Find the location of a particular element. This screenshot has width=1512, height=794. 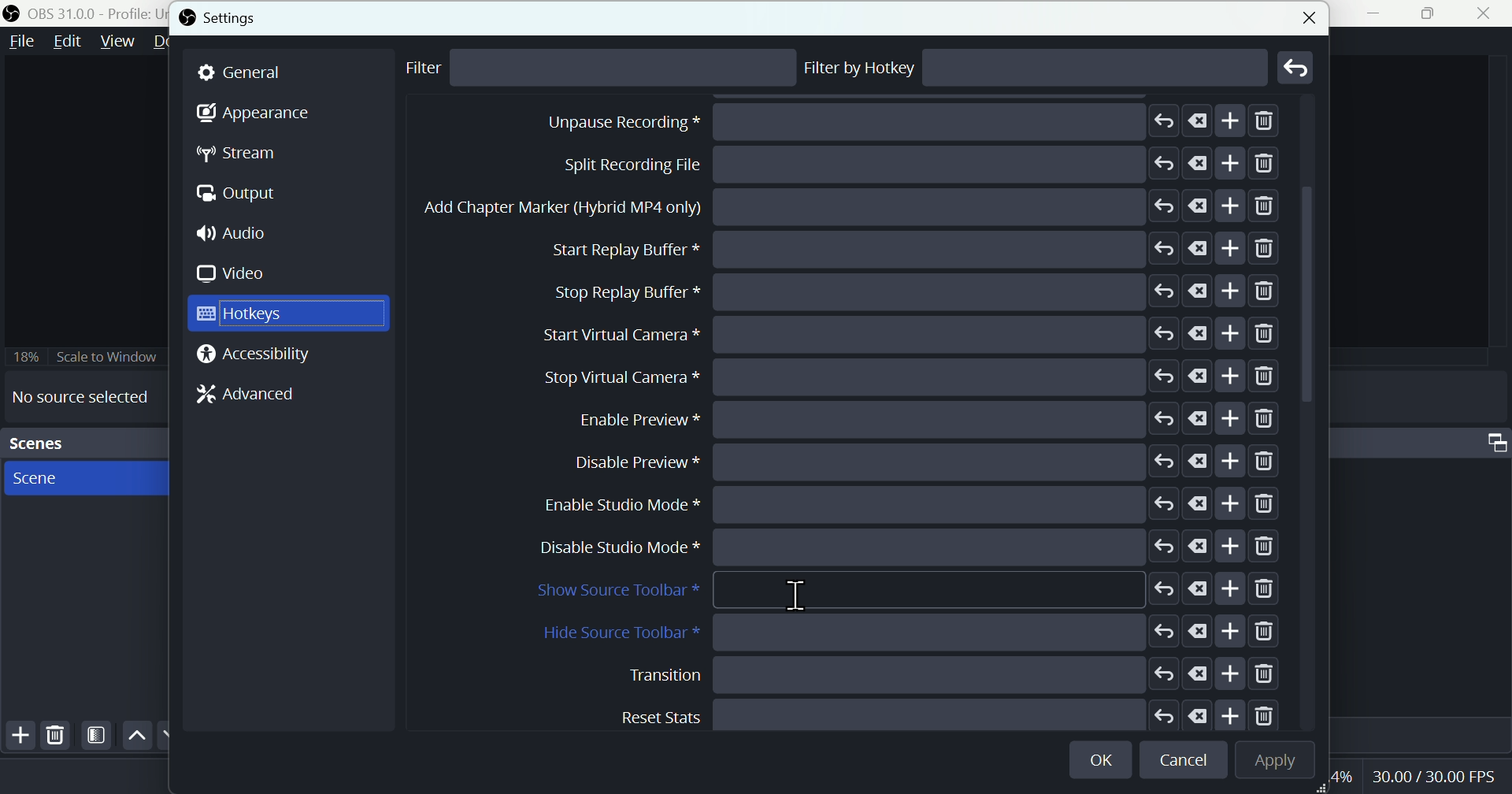

Audio is located at coordinates (239, 235).